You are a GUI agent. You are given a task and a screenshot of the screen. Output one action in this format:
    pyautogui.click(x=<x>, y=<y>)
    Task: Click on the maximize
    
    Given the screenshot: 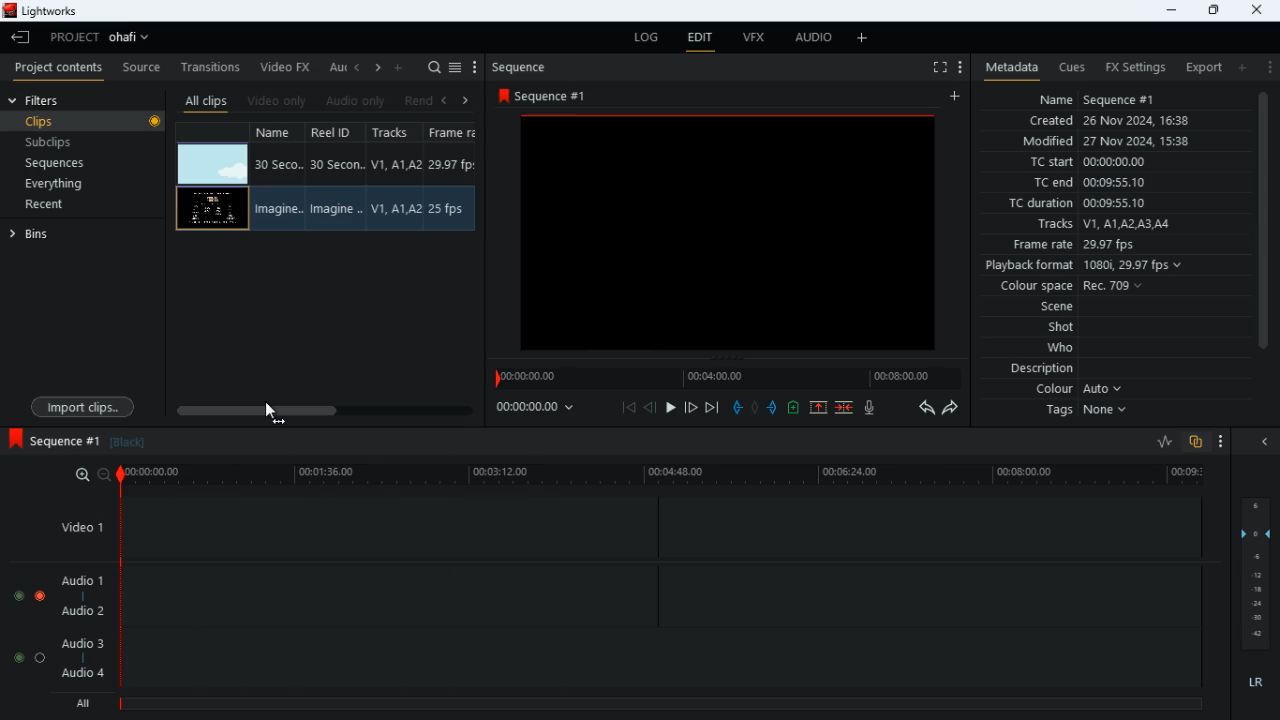 What is the action you would take?
    pyautogui.click(x=1210, y=12)
    